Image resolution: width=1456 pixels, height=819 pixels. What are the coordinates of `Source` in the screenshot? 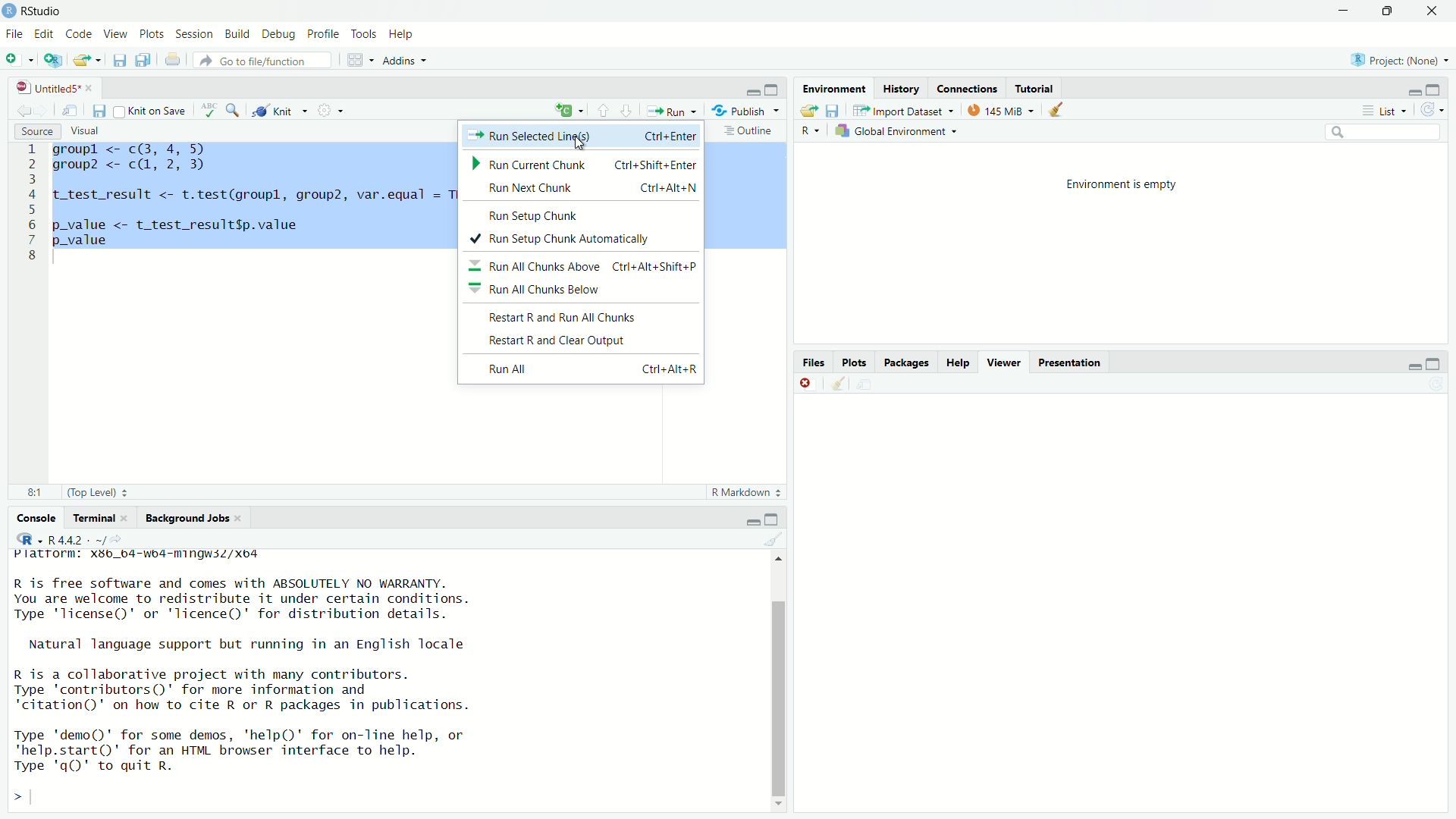 It's located at (34, 131).